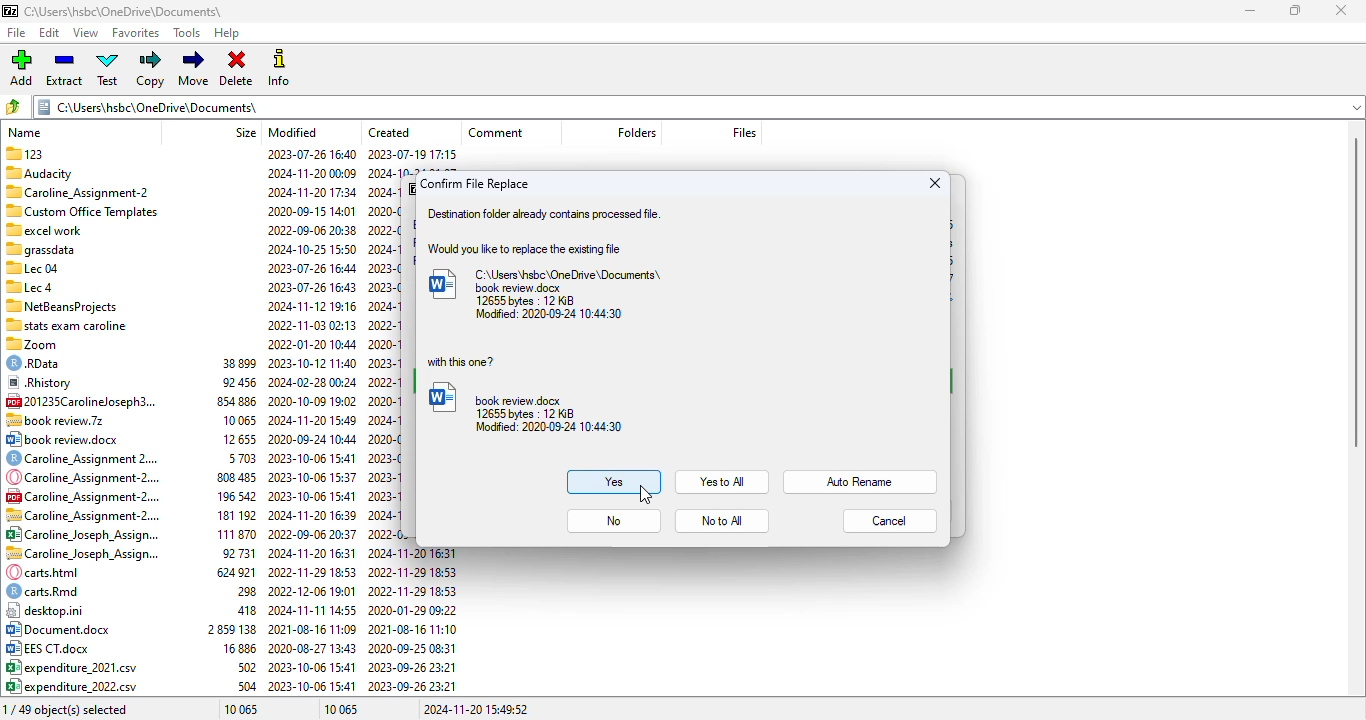 This screenshot has height=720, width=1366. Describe the element at coordinates (136, 33) in the screenshot. I see `favorites` at that location.